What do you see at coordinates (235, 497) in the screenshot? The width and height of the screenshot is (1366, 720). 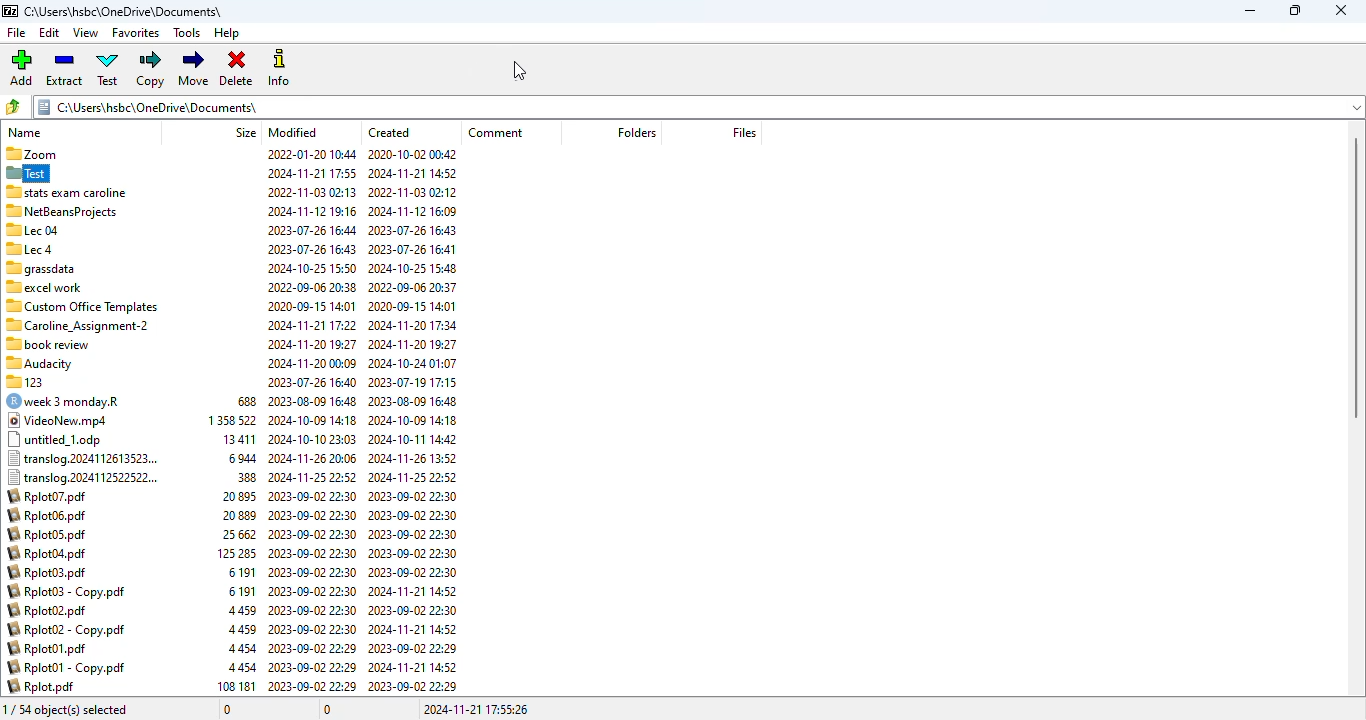 I see `20 895` at bounding box center [235, 497].